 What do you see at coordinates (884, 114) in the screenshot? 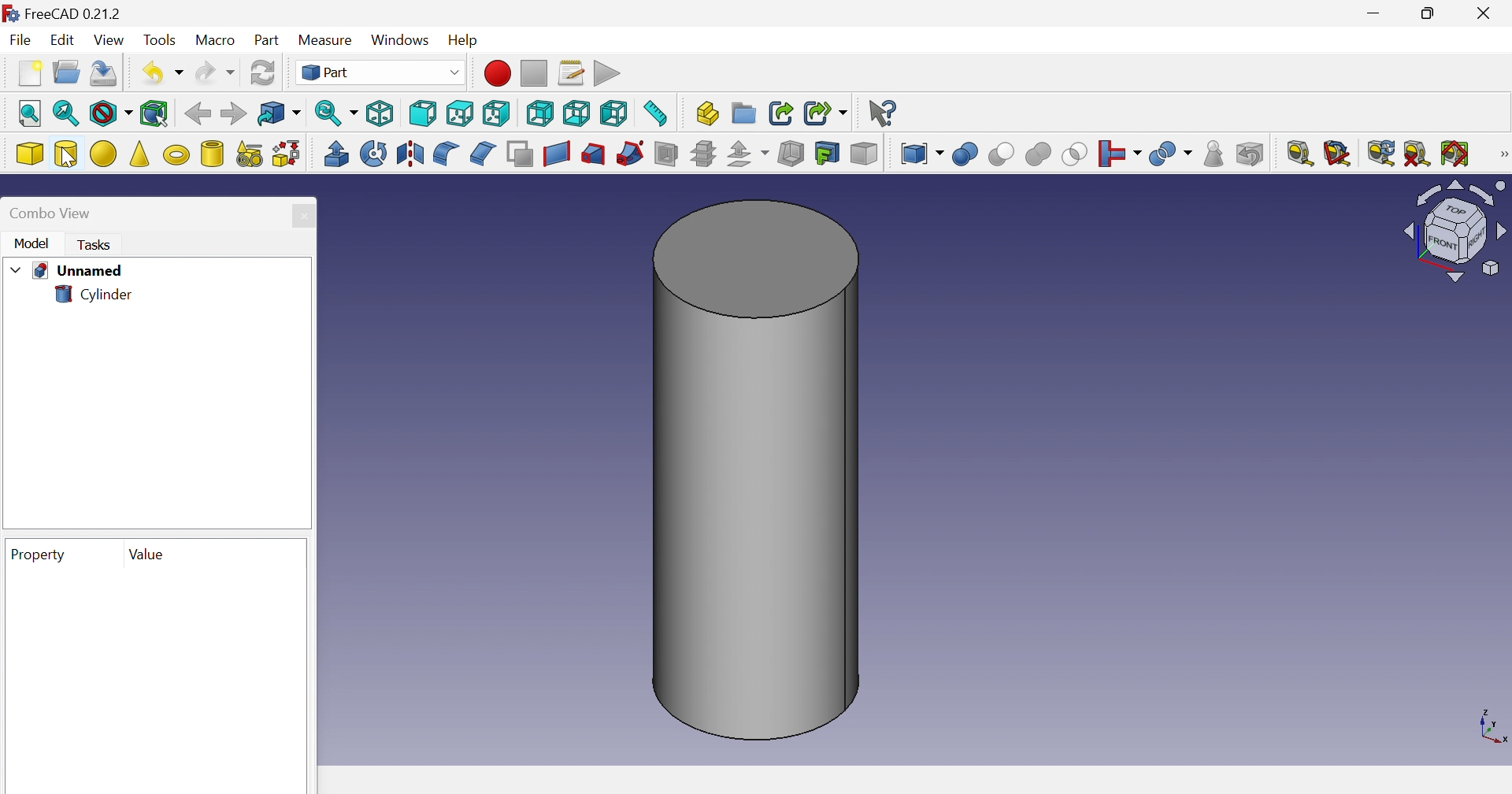
I see `What's this?` at bounding box center [884, 114].